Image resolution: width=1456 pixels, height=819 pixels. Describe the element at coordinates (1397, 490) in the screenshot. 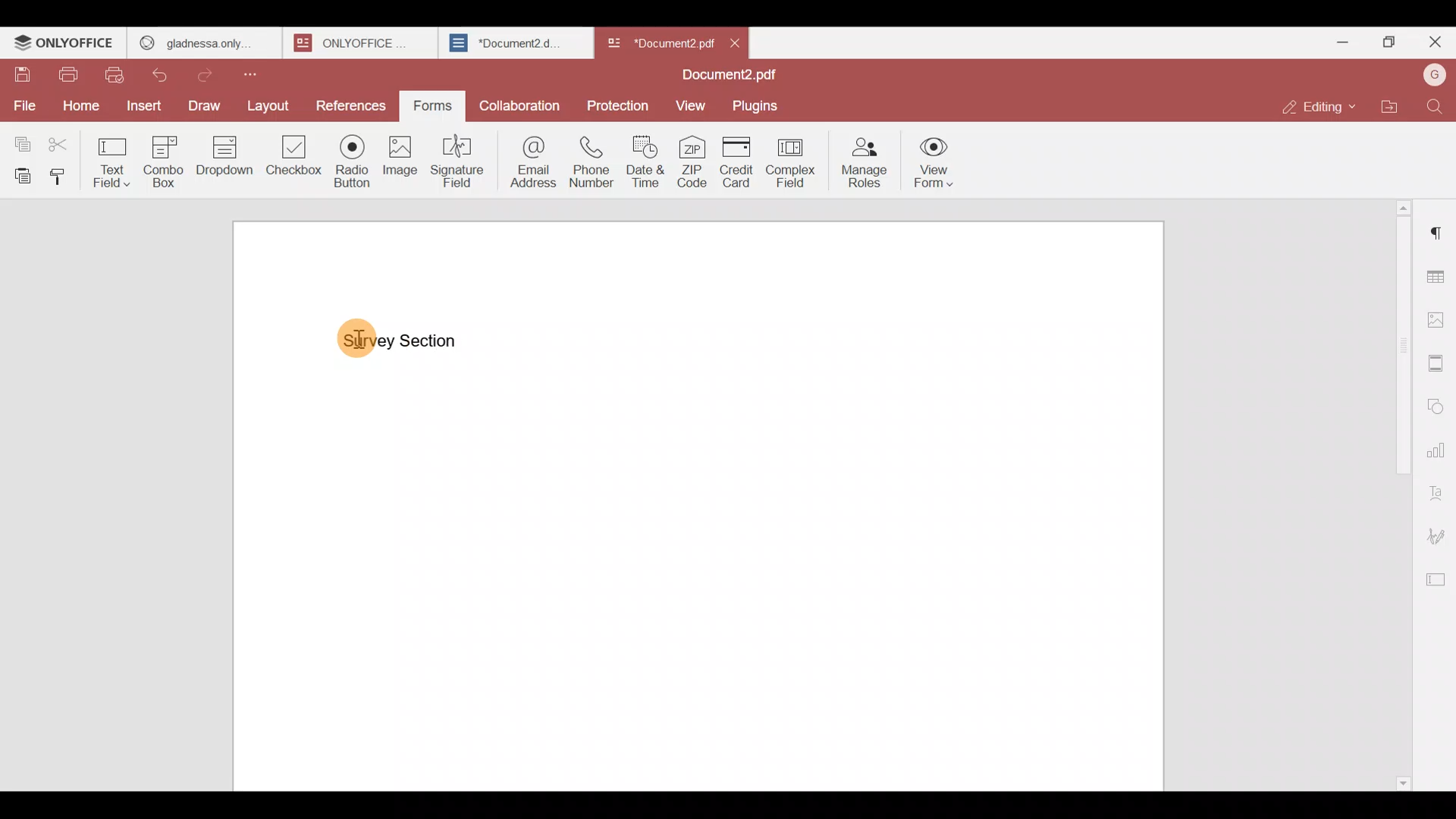

I see `Scroll bar` at that location.